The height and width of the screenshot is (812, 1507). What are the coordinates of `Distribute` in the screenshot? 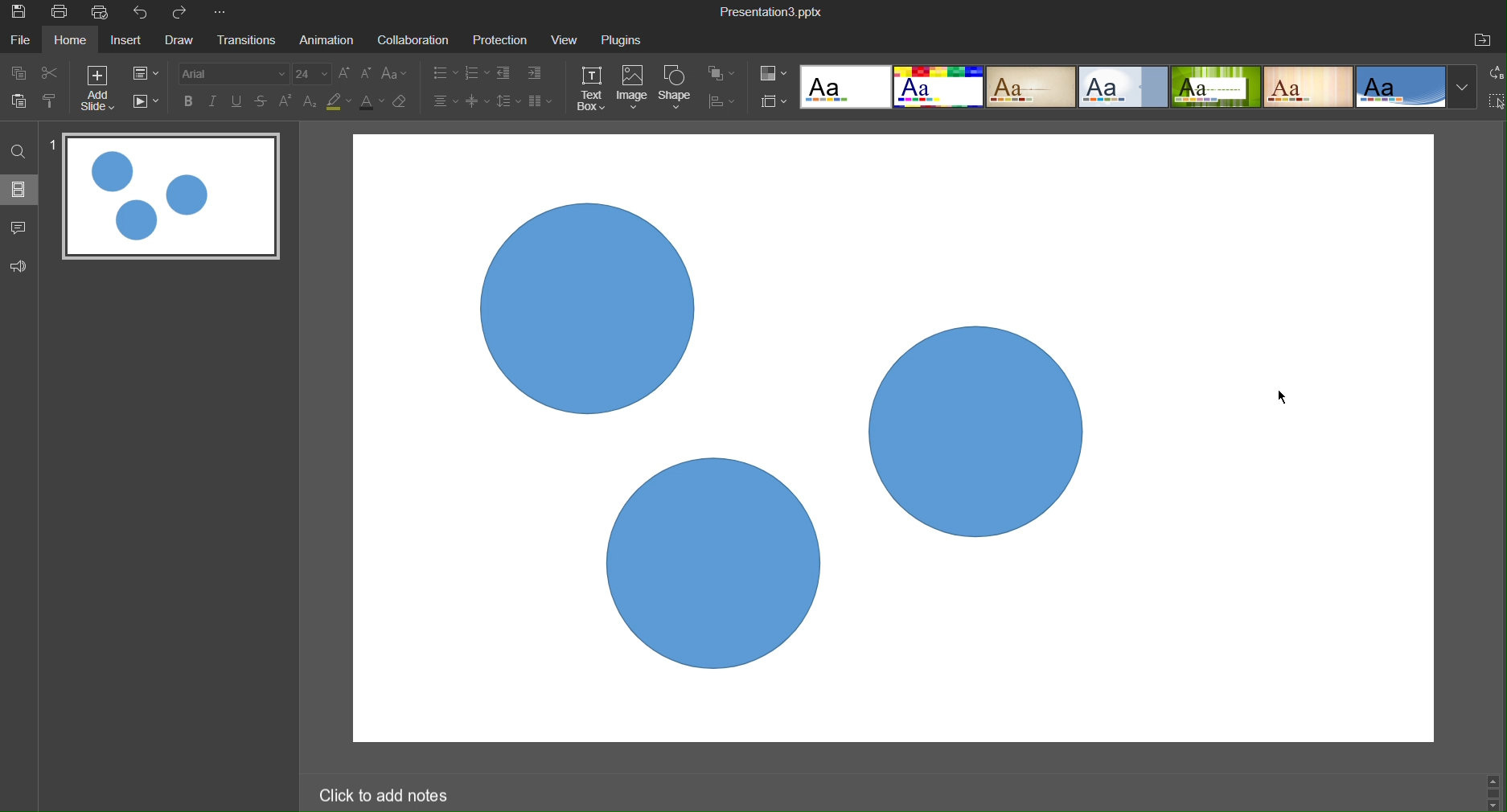 It's located at (727, 103).